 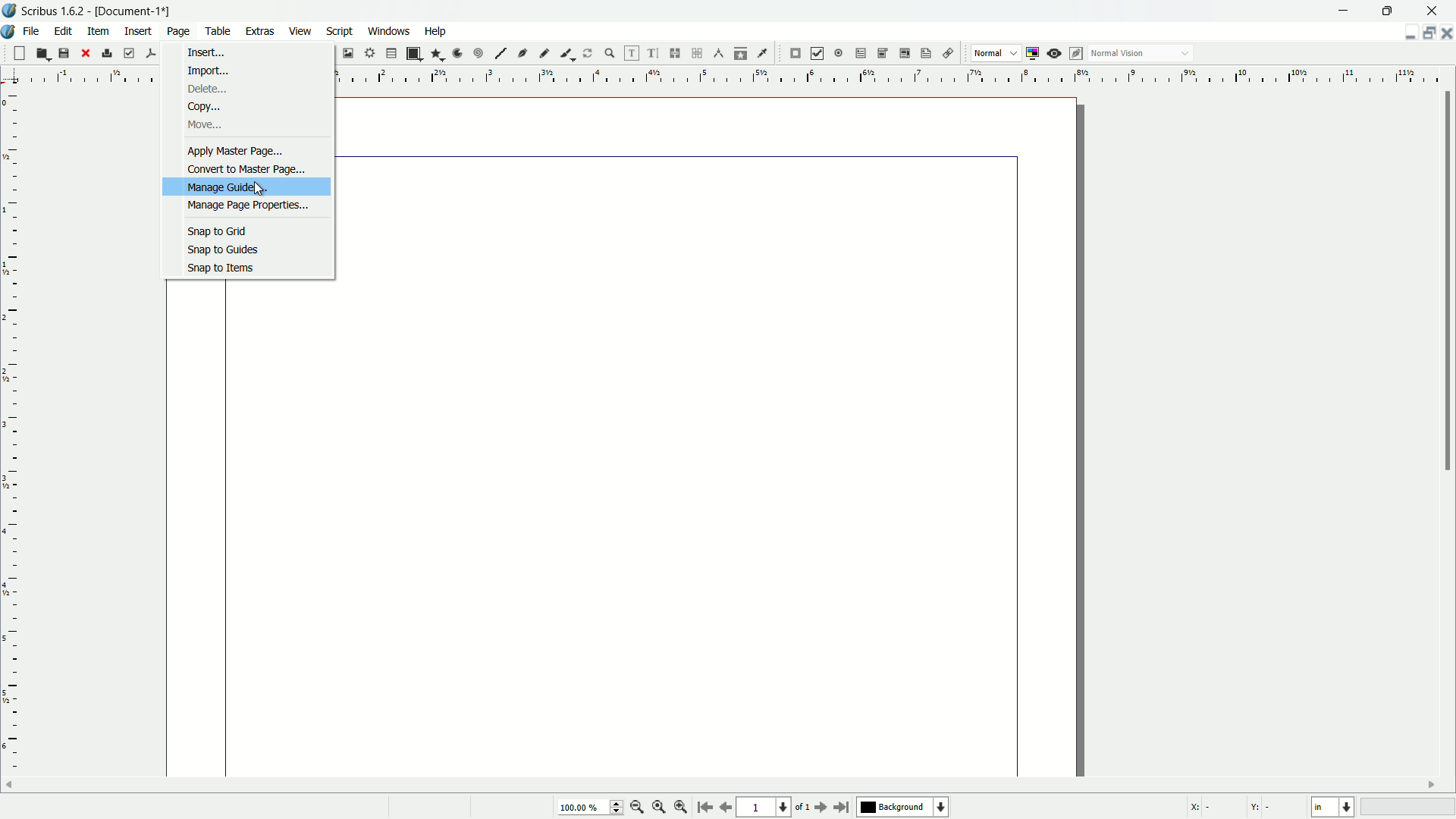 I want to click on manage guide, so click(x=229, y=187).